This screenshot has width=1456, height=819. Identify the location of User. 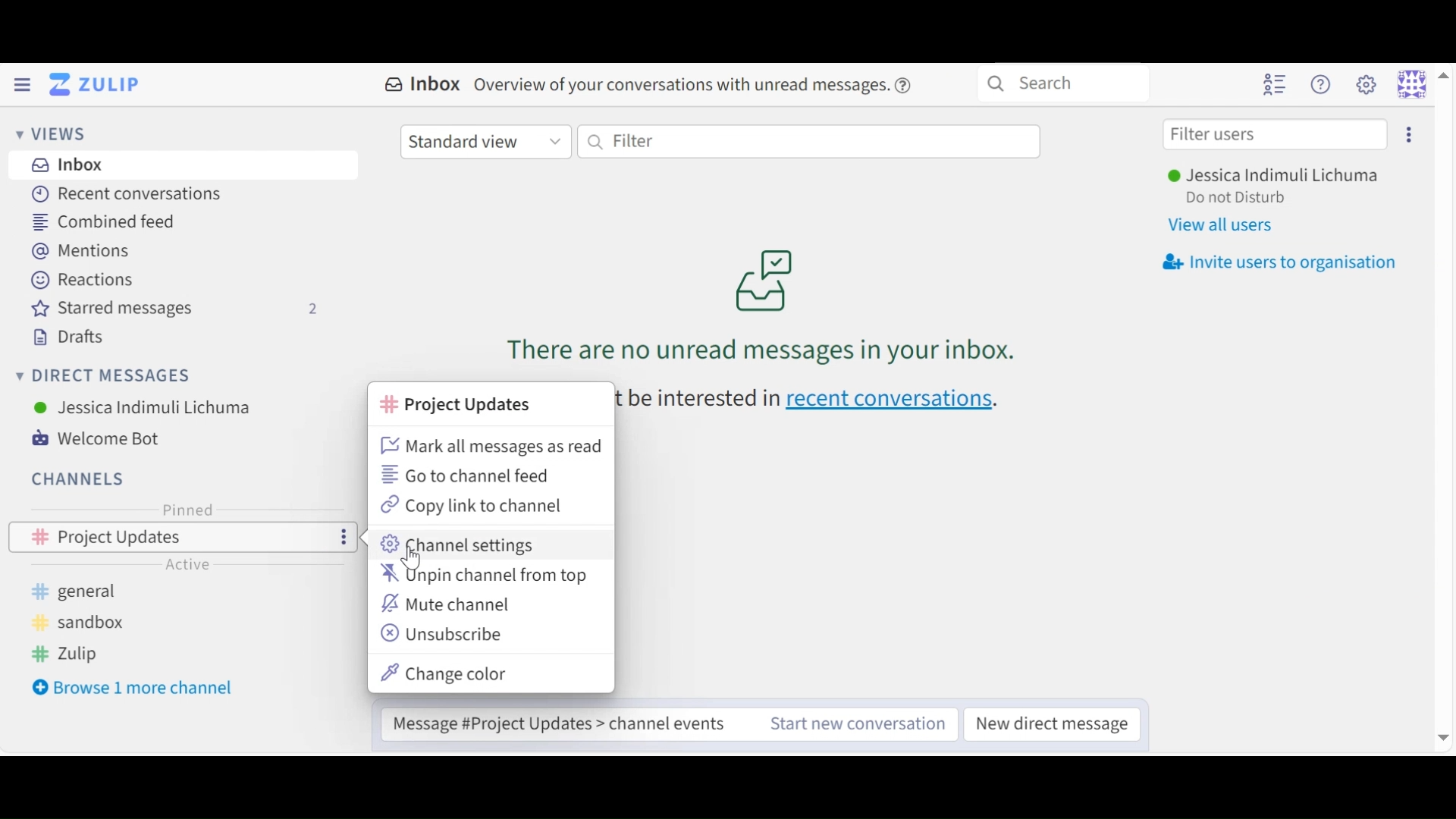
(149, 409).